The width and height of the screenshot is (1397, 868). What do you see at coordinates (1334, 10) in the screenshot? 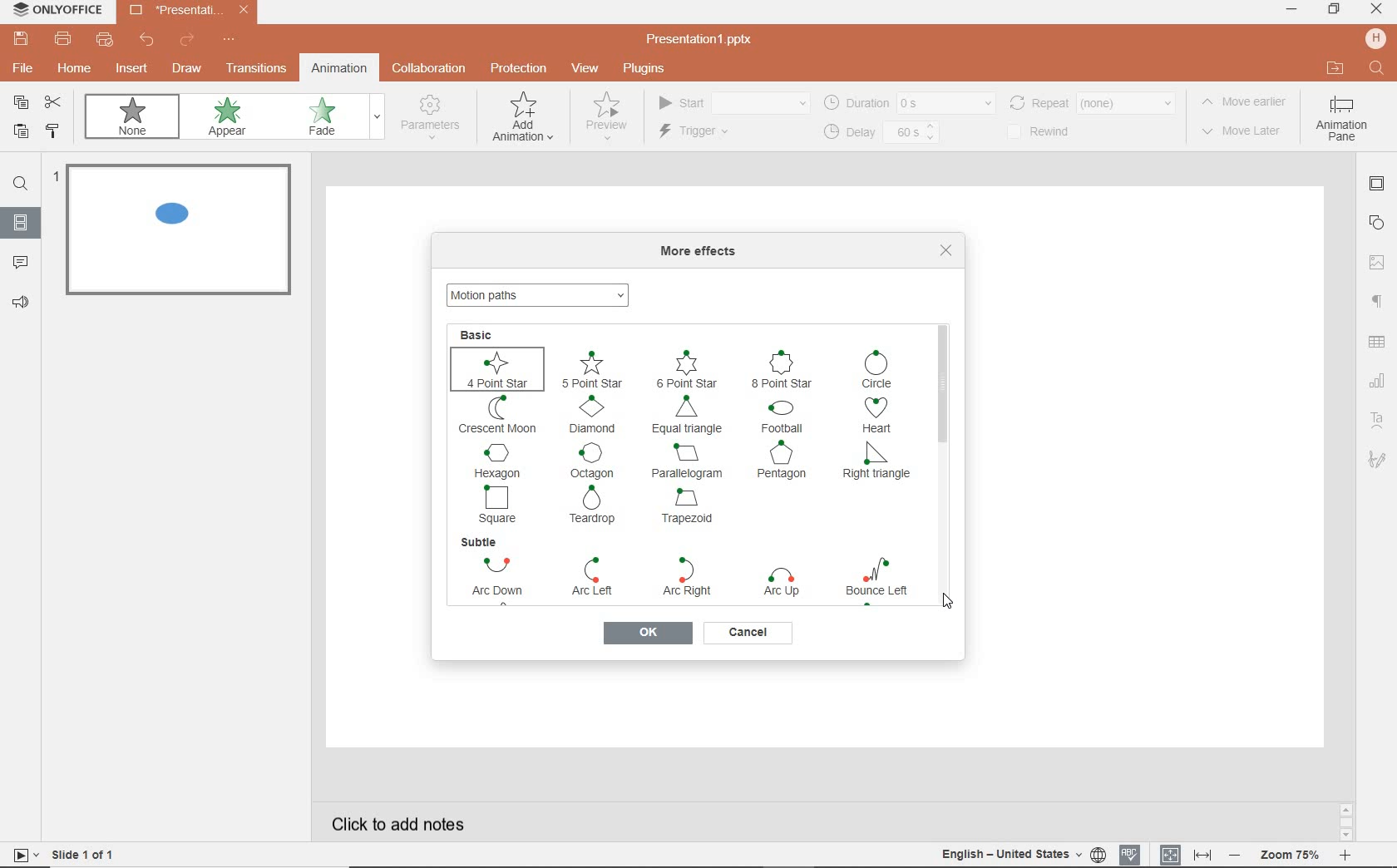
I see `RESTORE` at bounding box center [1334, 10].